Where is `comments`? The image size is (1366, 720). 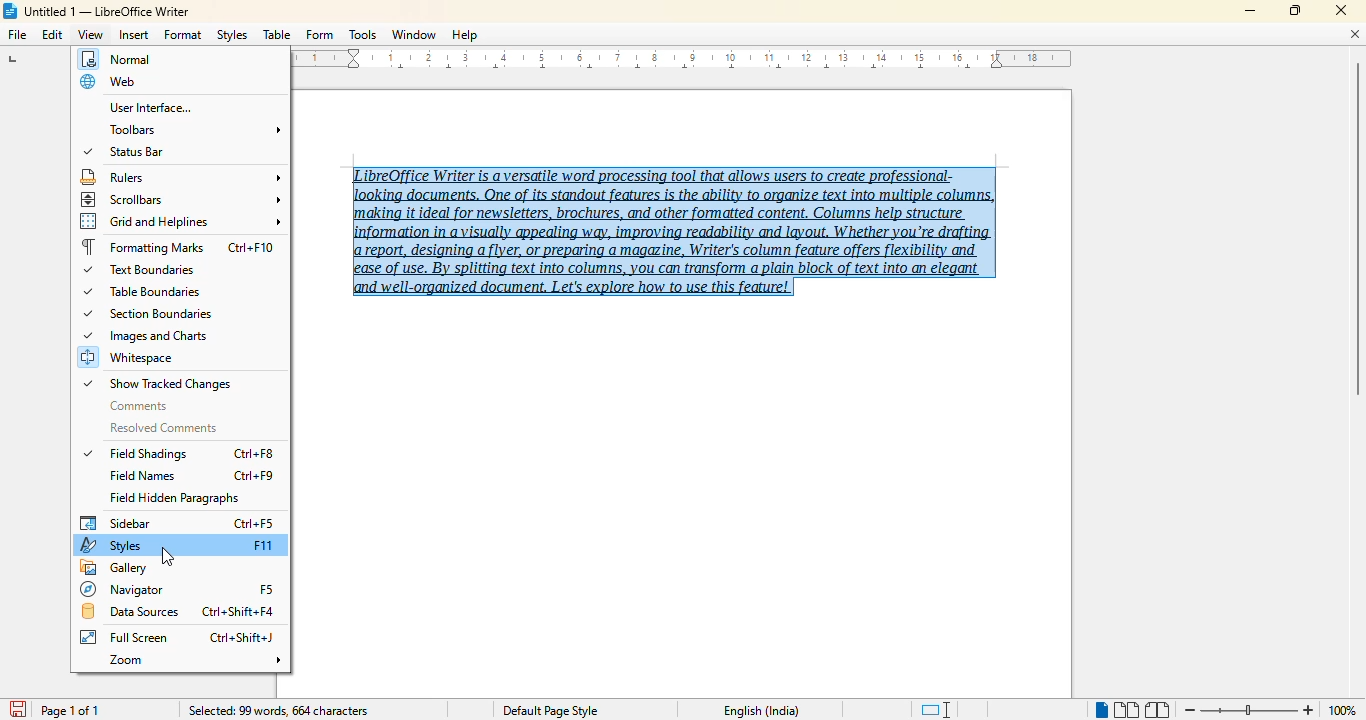 comments is located at coordinates (141, 406).